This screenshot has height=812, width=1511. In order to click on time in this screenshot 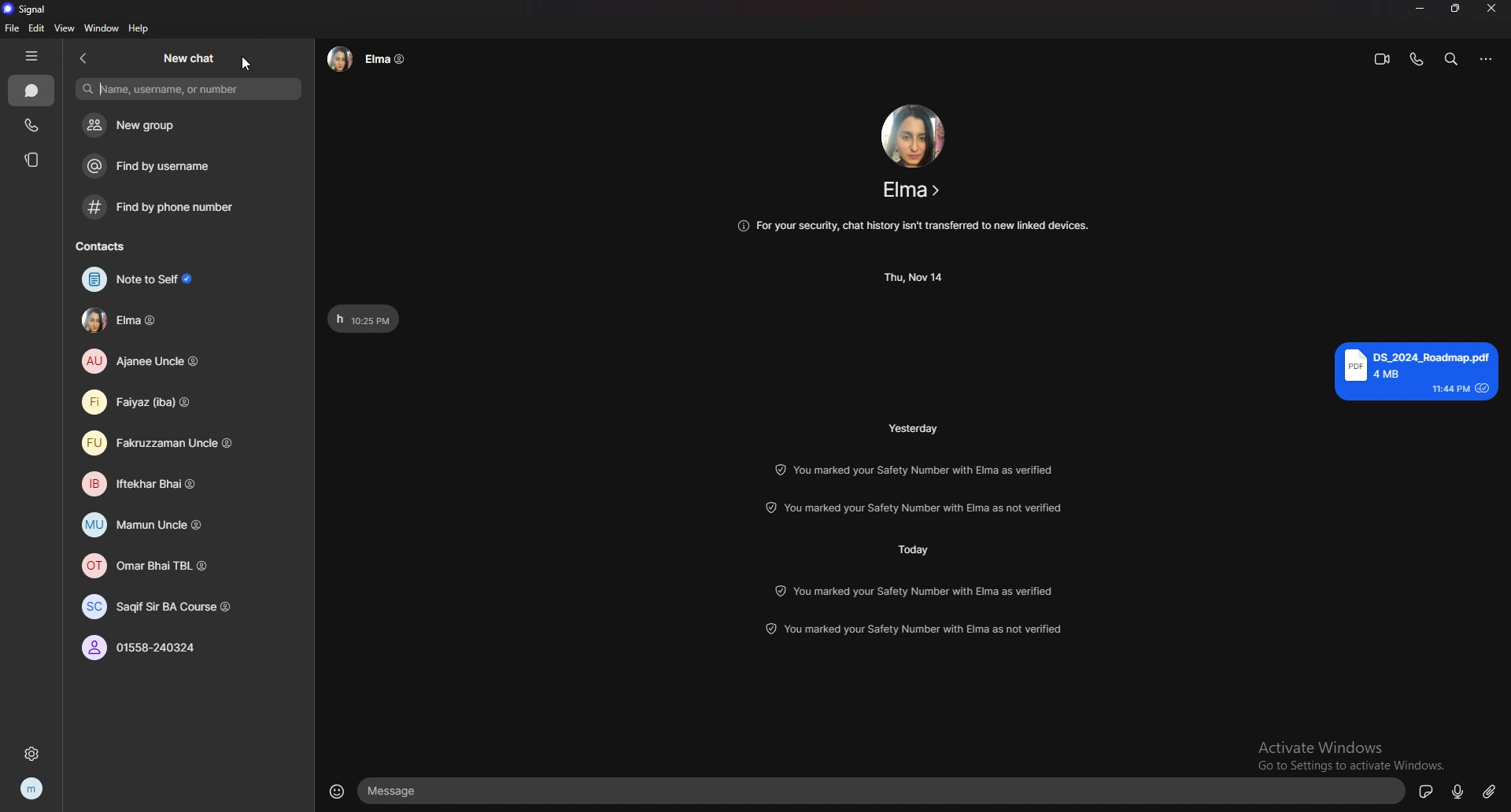, I will do `click(916, 277)`.